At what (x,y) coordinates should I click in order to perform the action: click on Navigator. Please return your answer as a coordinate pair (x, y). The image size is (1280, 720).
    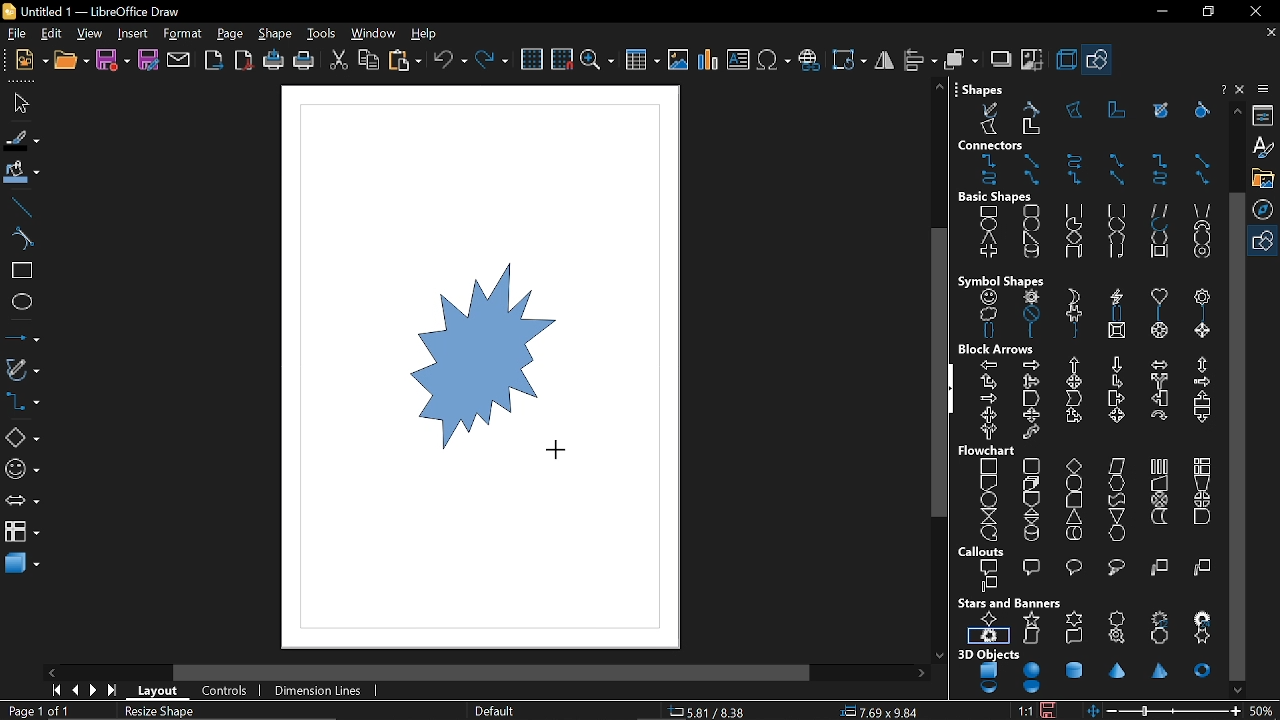
    Looking at the image, I should click on (1266, 209).